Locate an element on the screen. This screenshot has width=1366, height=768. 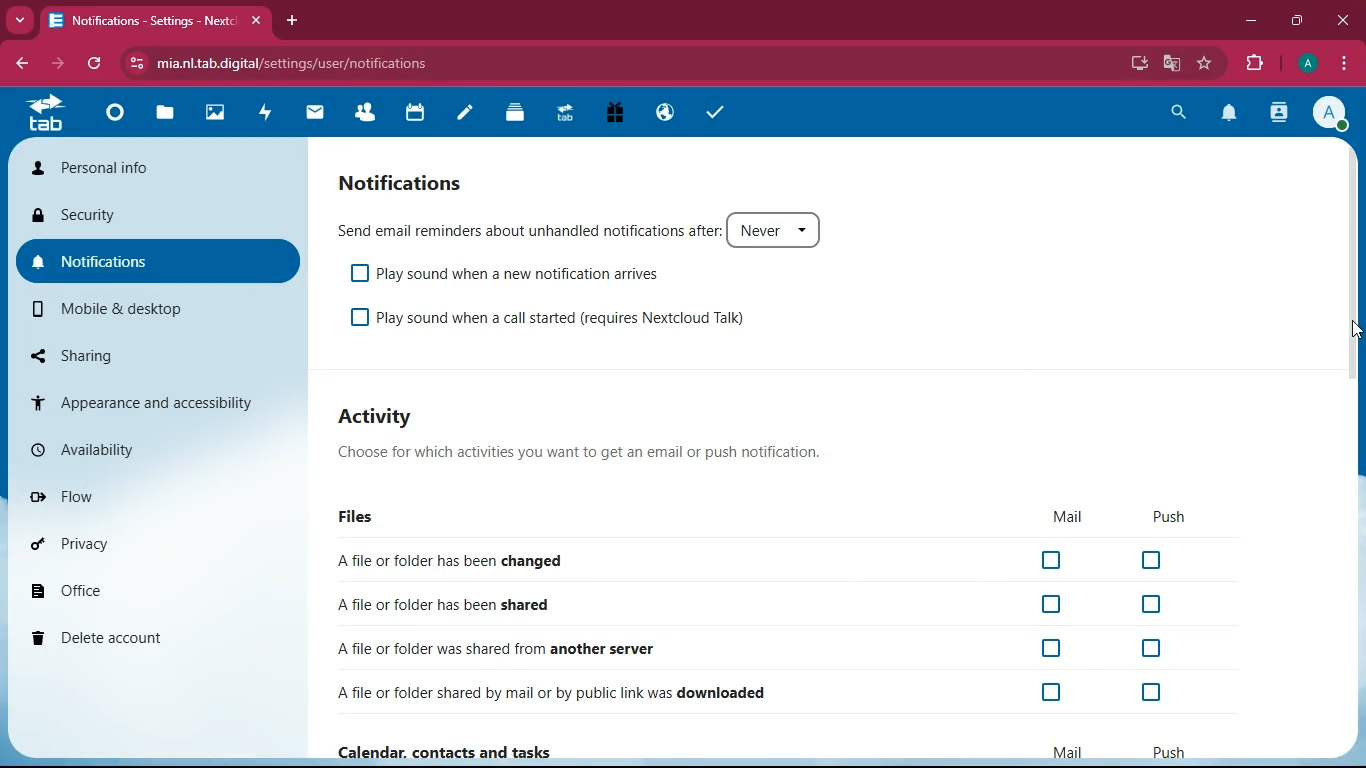
more is located at coordinates (17, 20).